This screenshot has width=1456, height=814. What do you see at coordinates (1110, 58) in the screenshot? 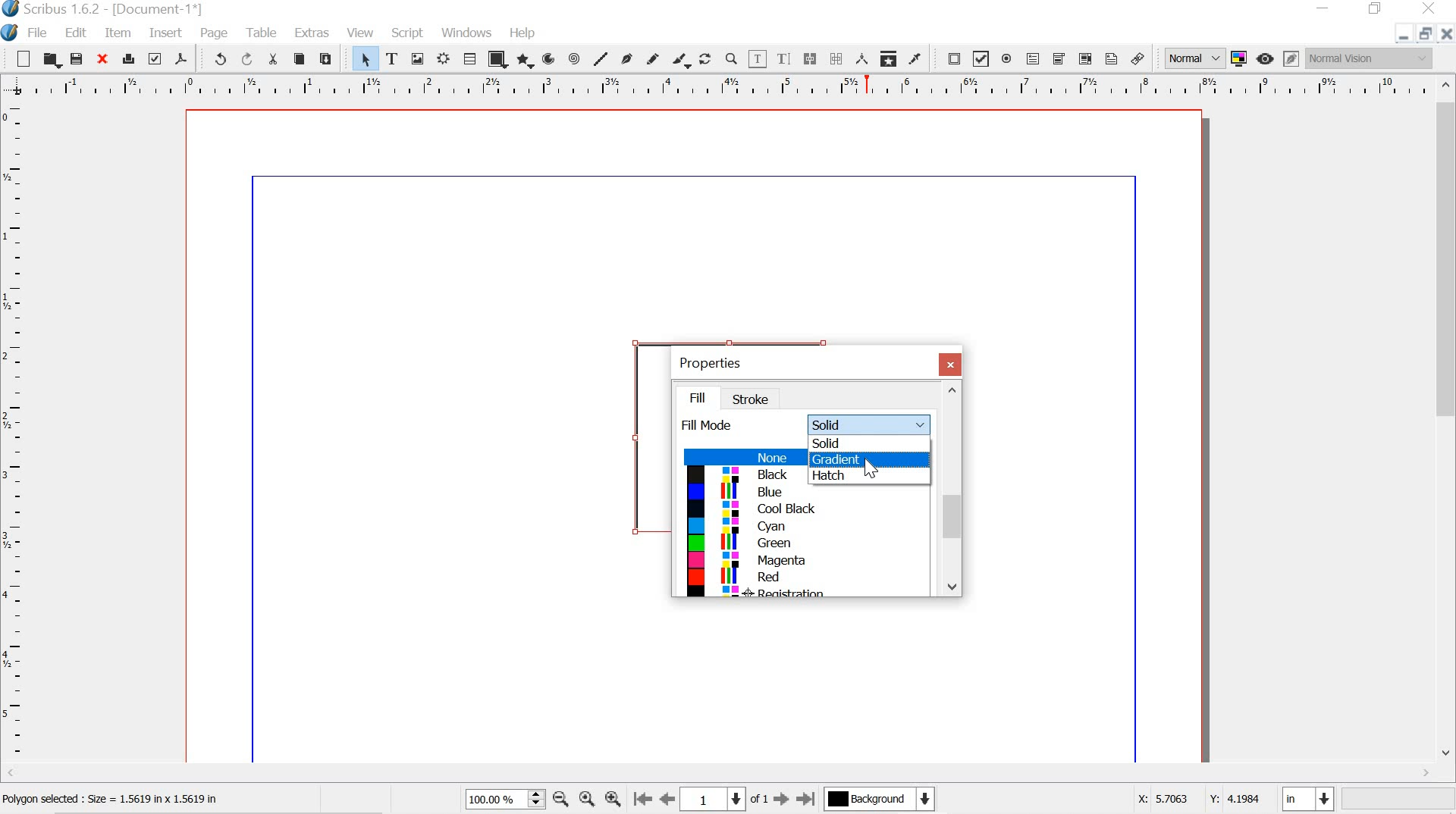
I see `text annotation` at bounding box center [1110, 58].